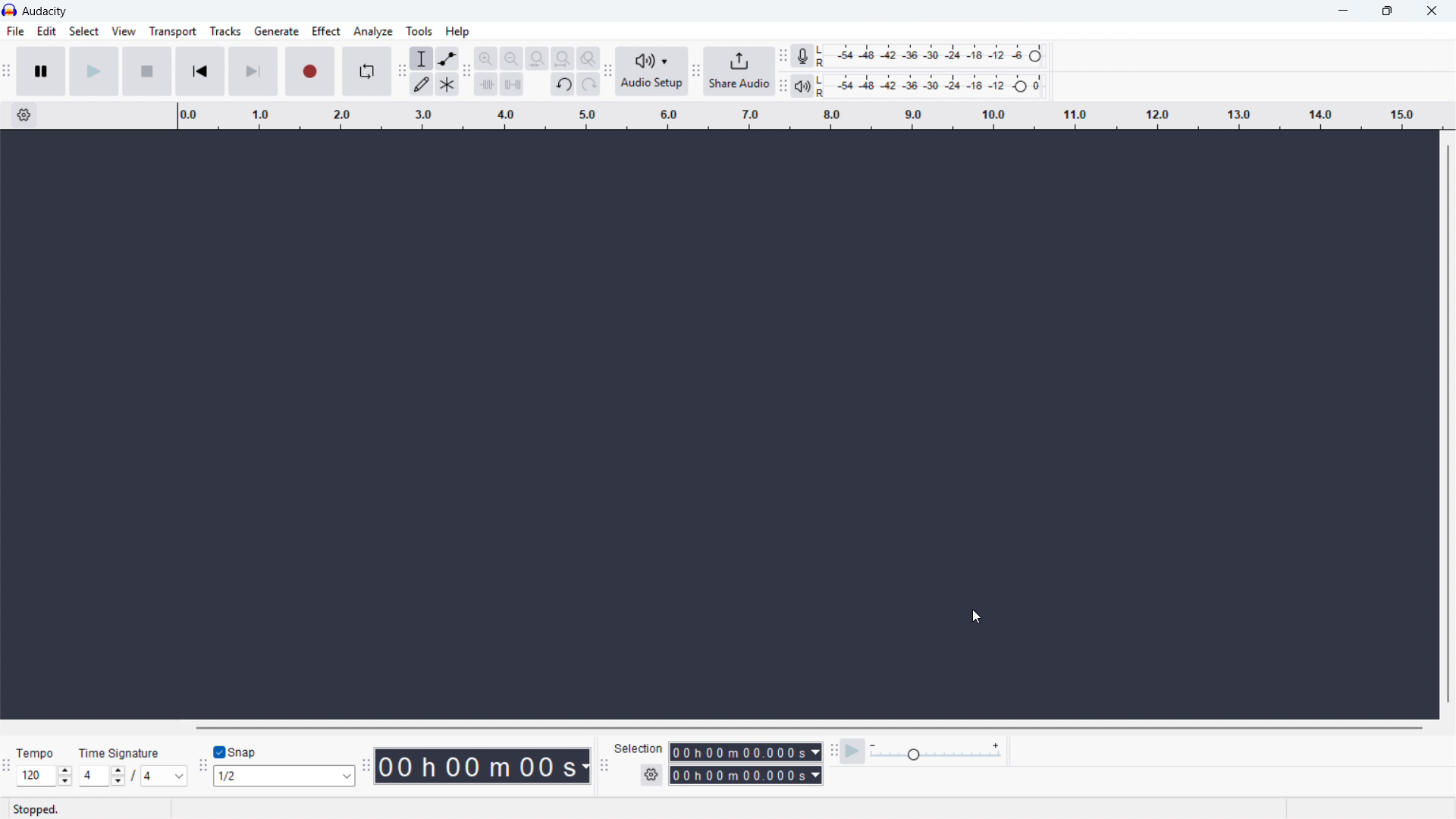  What do you see at coordinates (803, 86) in the screenshot?
I see `playback meter ` at bounding box center [803, 86].